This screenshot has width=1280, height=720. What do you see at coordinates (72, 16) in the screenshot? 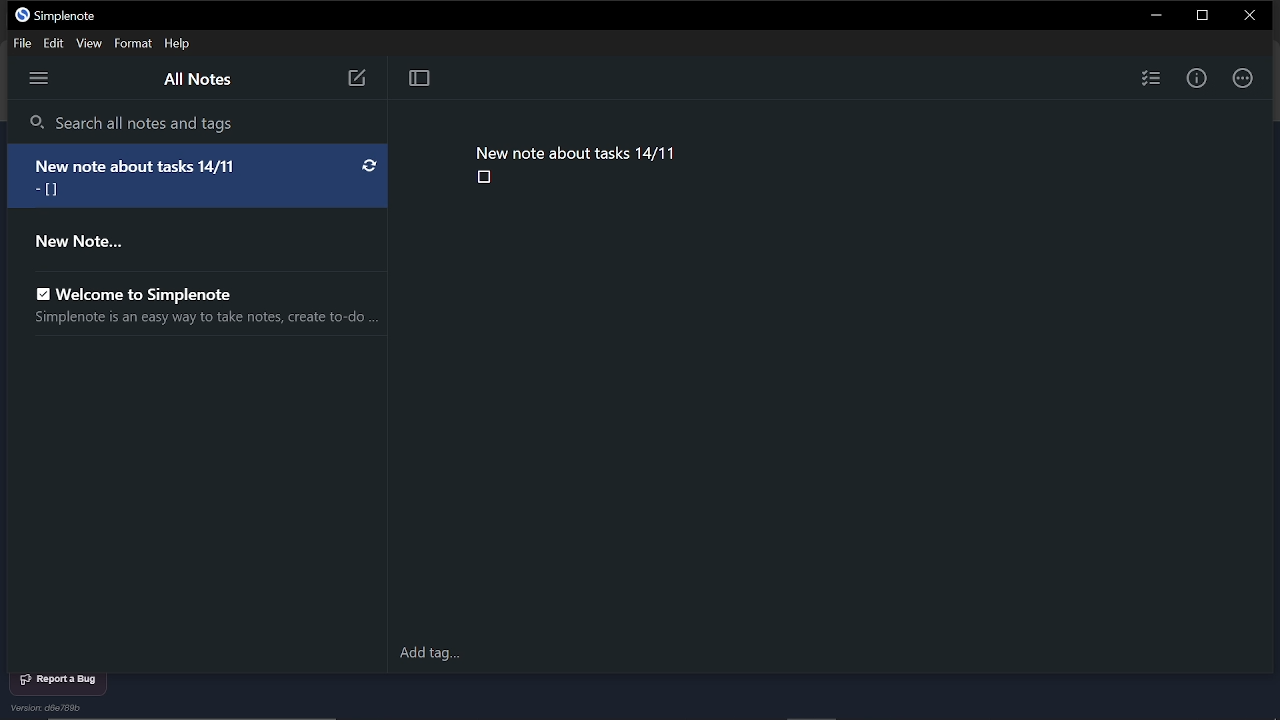
I see `simplenote` at bounding box center [72, 16].